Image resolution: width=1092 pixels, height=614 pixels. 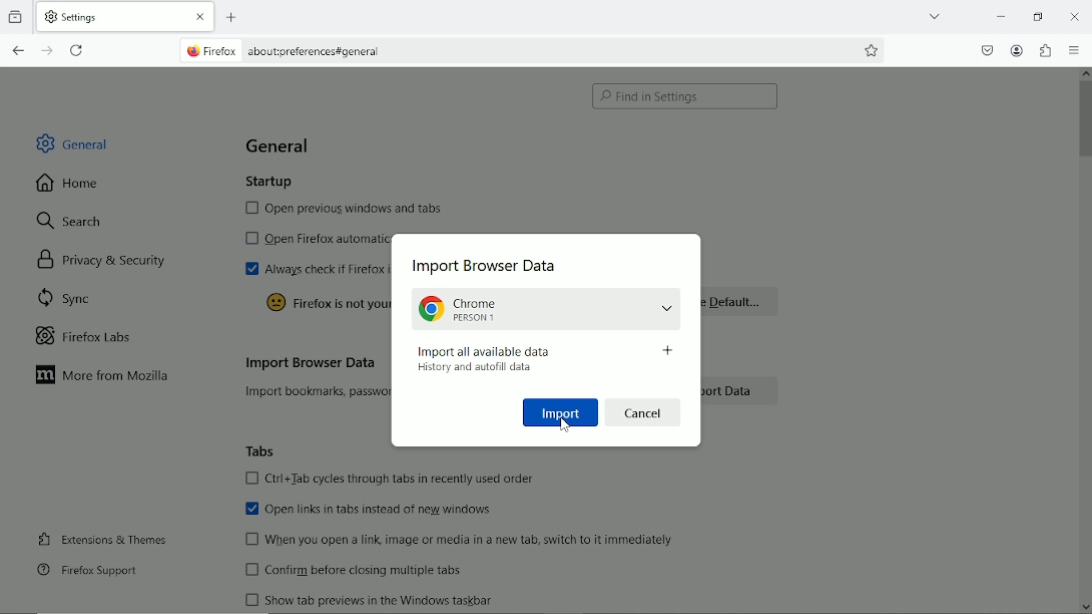 What do you see at coordinates (1085, 607) in the screenshot?
I see `scroll down` at bounding box center [1085, 607].